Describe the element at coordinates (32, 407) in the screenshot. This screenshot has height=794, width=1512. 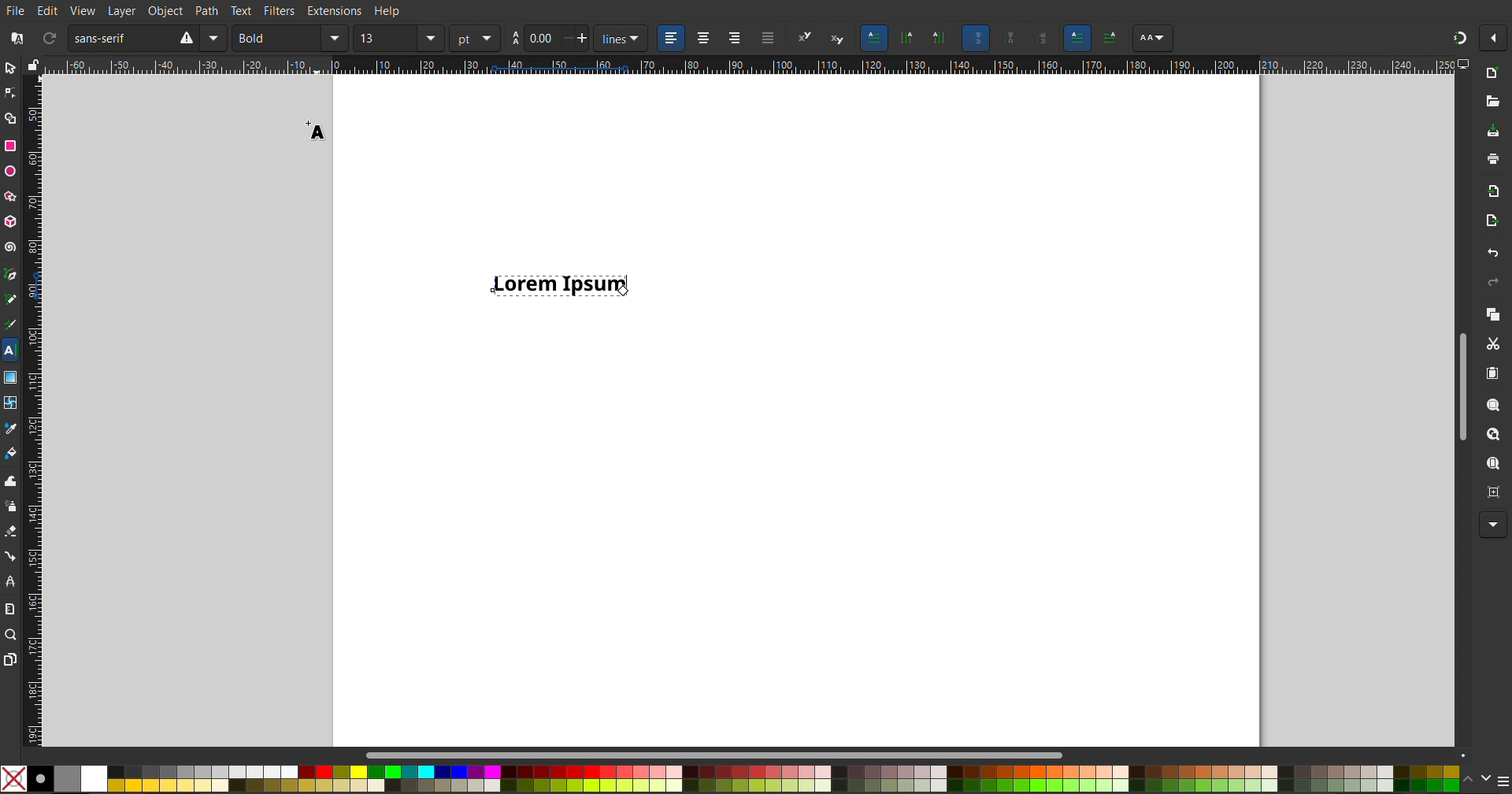
I see `Vertical Ruler` at that location.